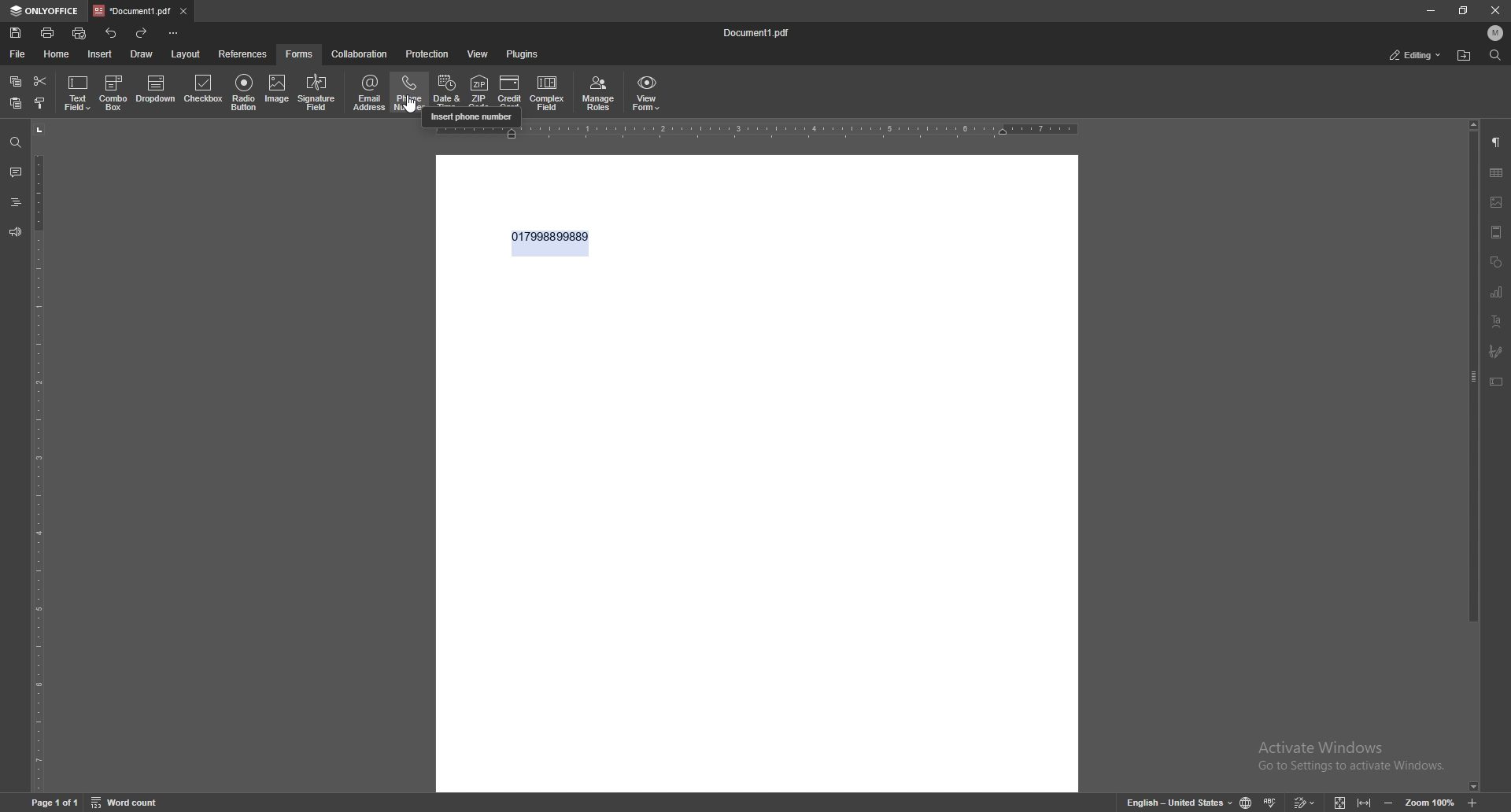 The image size is (1511, 812). What do you see at coordinates (40, 103) in the screenshot?
I see `copy style` at bounding box center [40, 103].